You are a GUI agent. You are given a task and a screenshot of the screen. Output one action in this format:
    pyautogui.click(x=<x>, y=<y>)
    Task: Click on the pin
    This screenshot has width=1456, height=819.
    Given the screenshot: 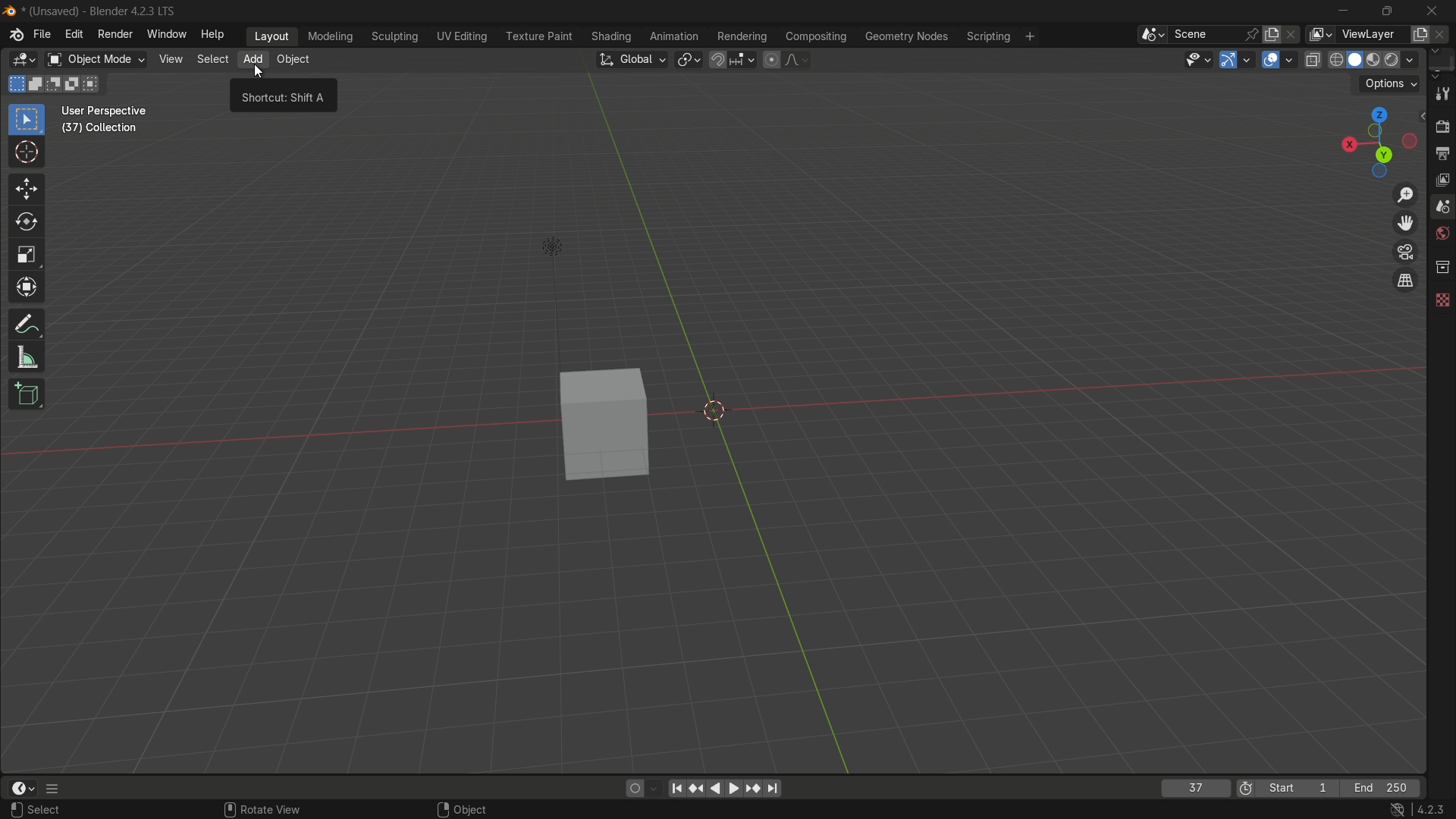 What is the action you would take?
    pyautogui.click(x=1252, y=36)
    